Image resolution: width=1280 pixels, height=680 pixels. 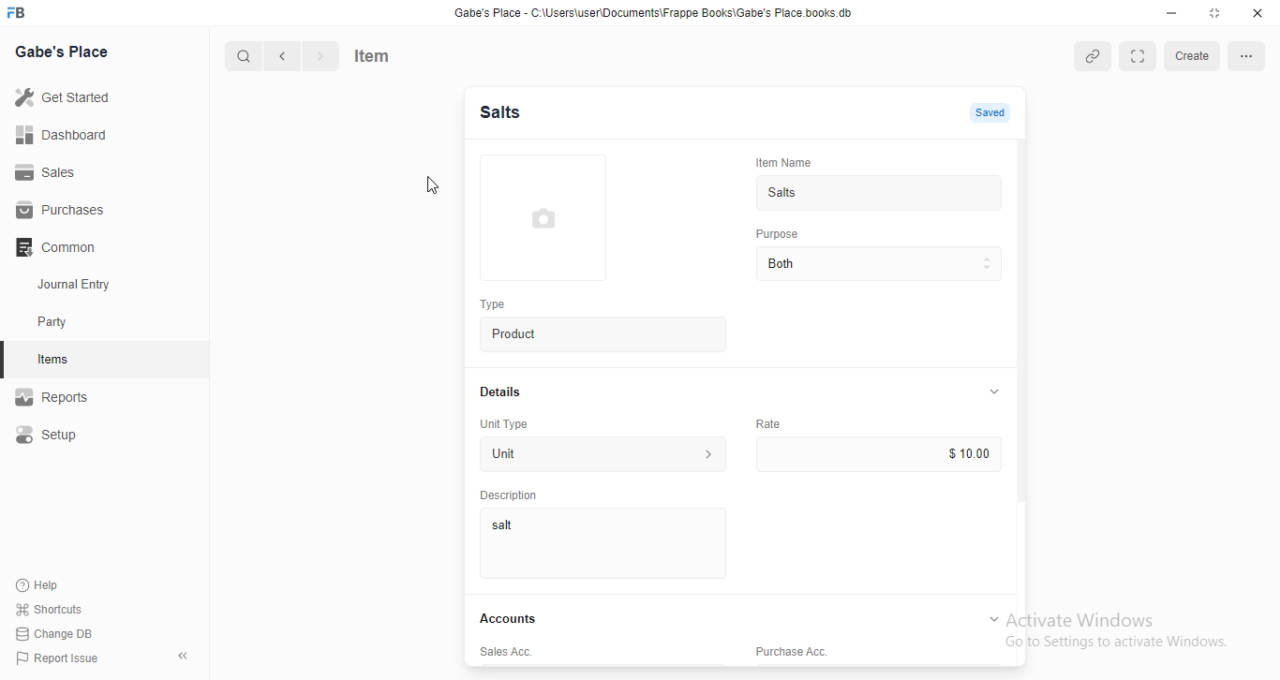 I want to click on Details, so click(x=506, y=393).